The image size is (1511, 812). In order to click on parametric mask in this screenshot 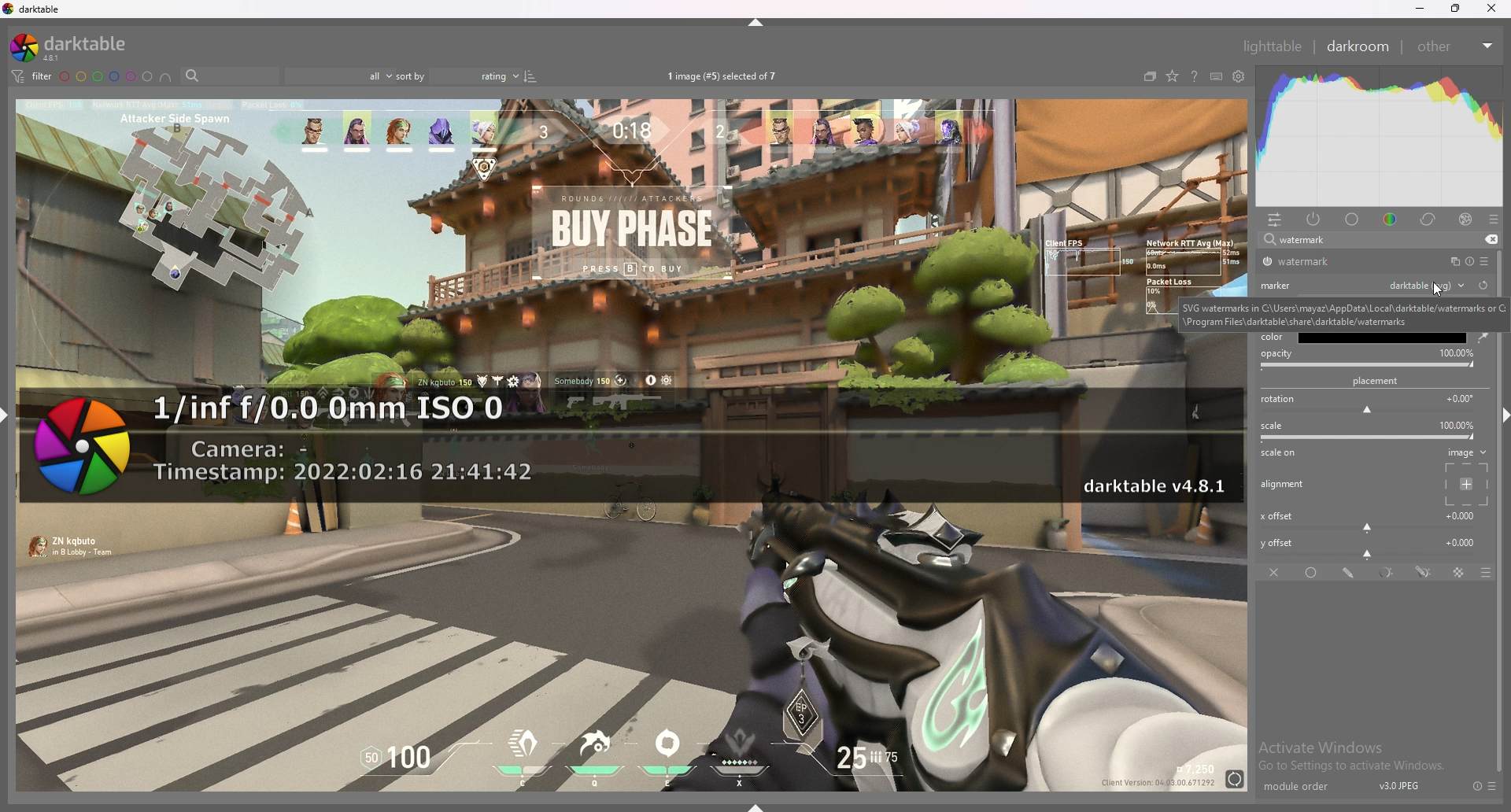, I will do `click(1388, 573)`.